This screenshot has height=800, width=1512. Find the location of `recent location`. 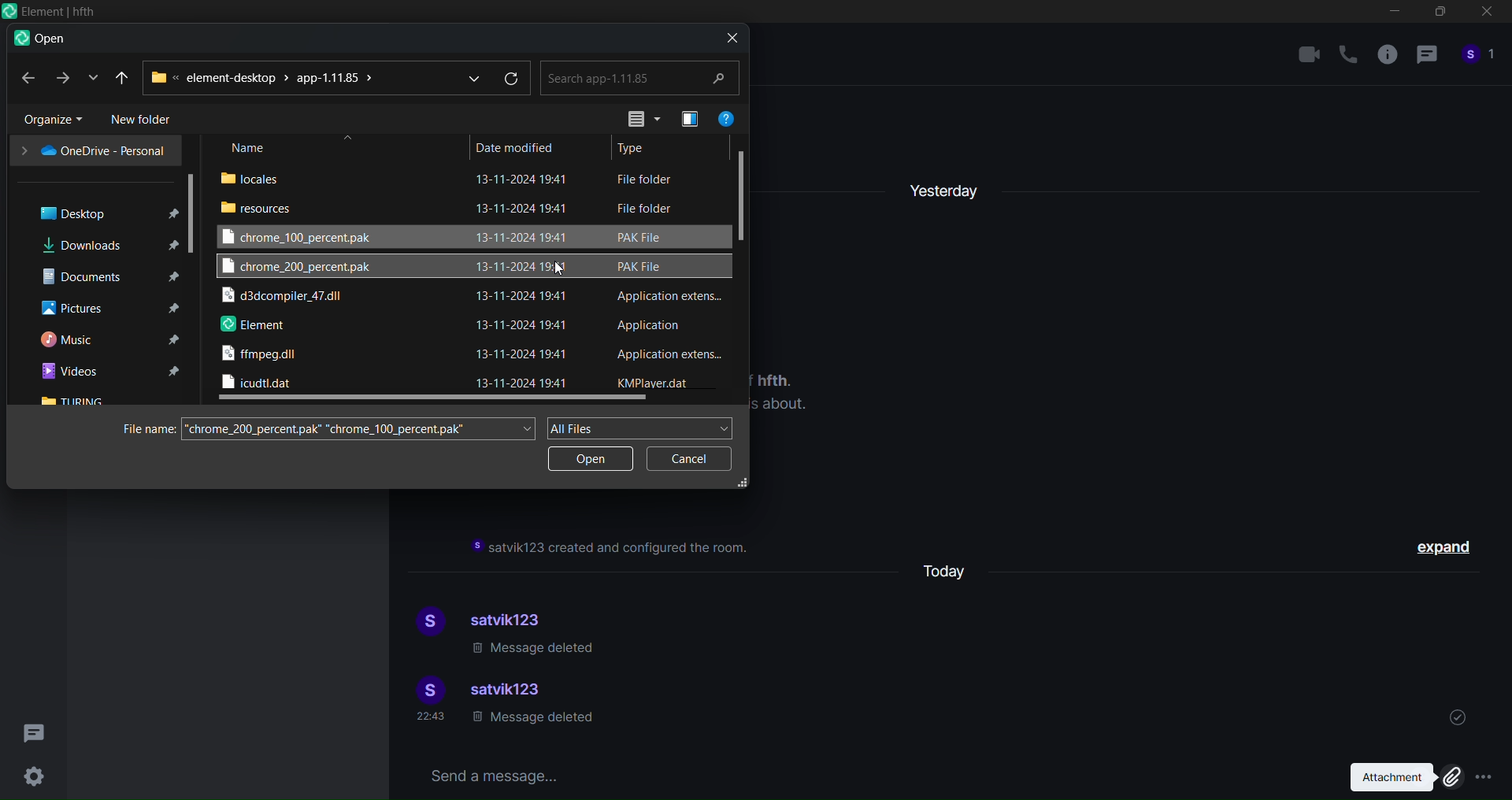

recent location is located at coordinates (90, 78).